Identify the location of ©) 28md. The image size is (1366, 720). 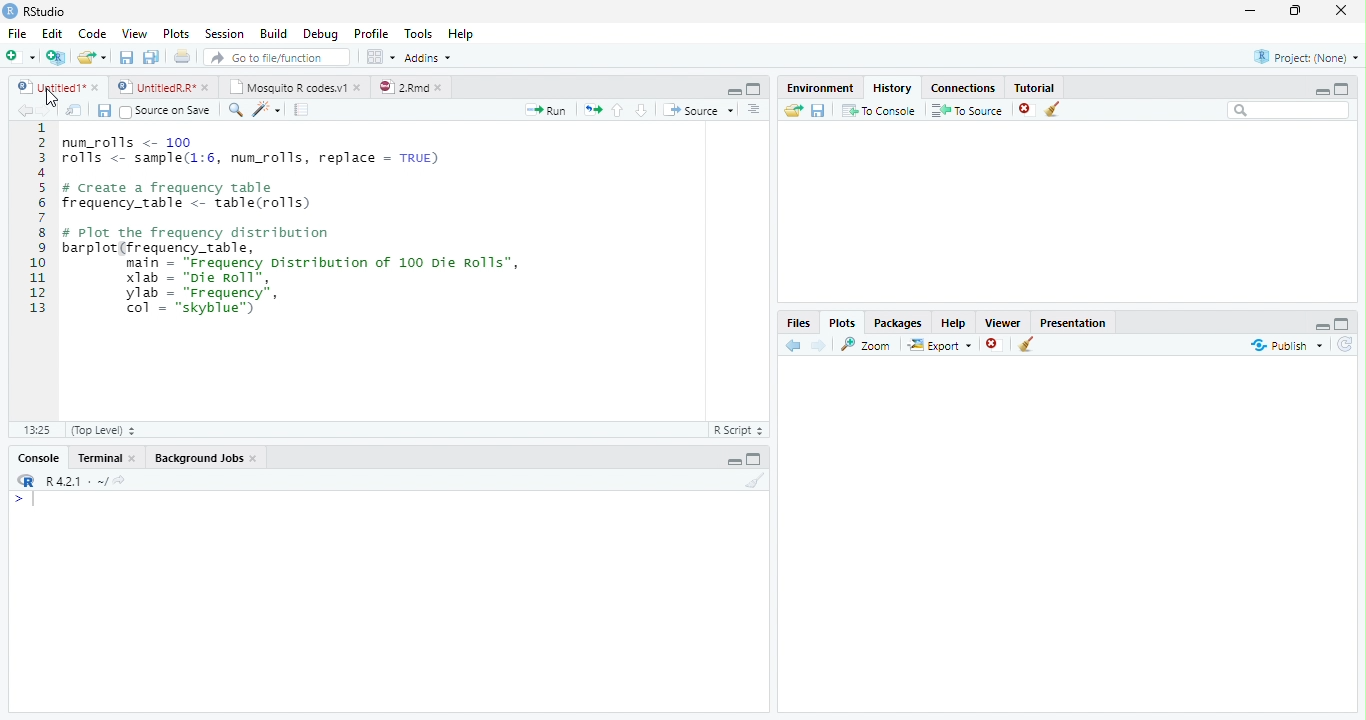
(410, 87).